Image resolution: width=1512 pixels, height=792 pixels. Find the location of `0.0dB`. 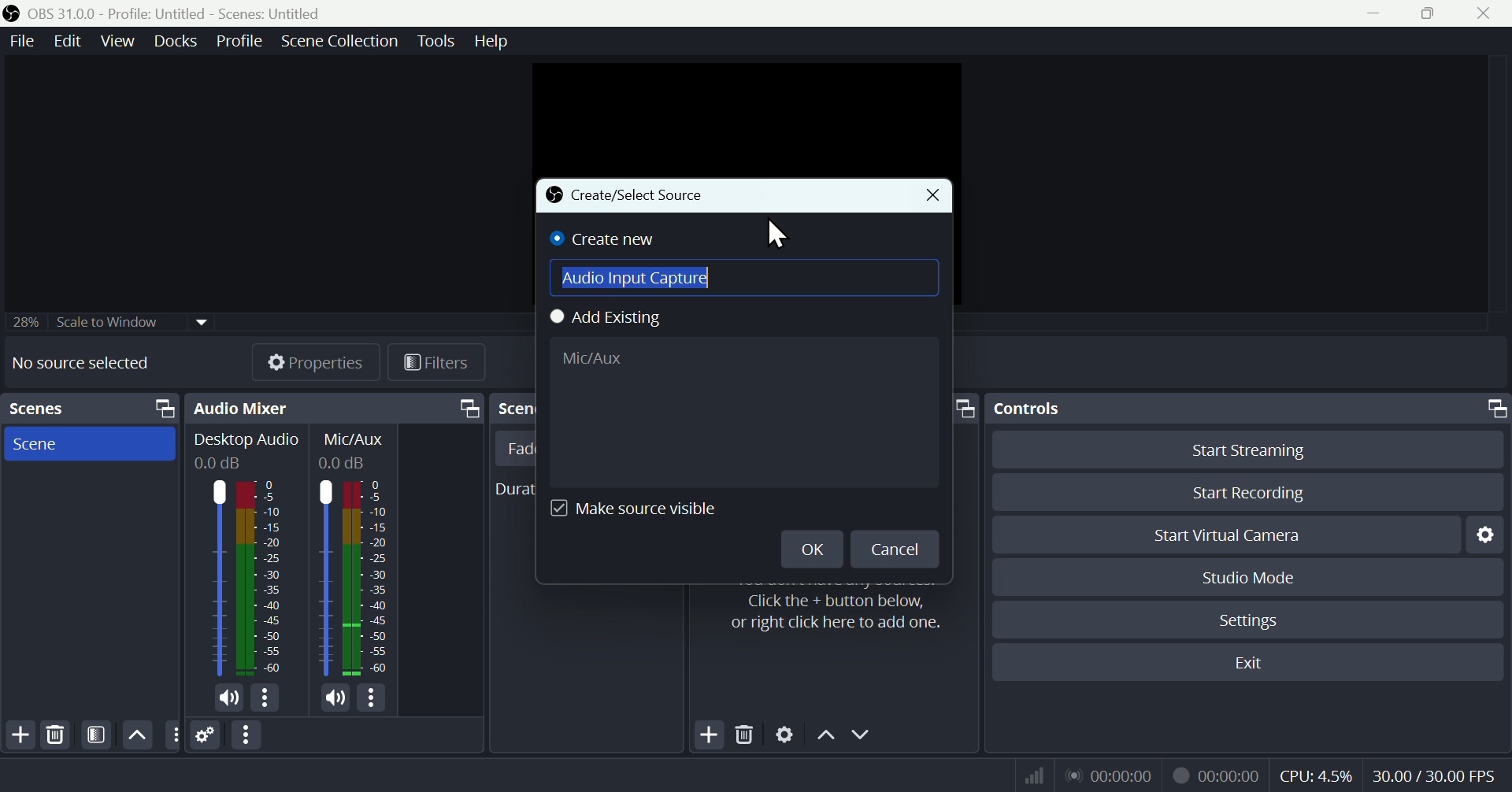

0.0dB is located at coordinates (345, 463).